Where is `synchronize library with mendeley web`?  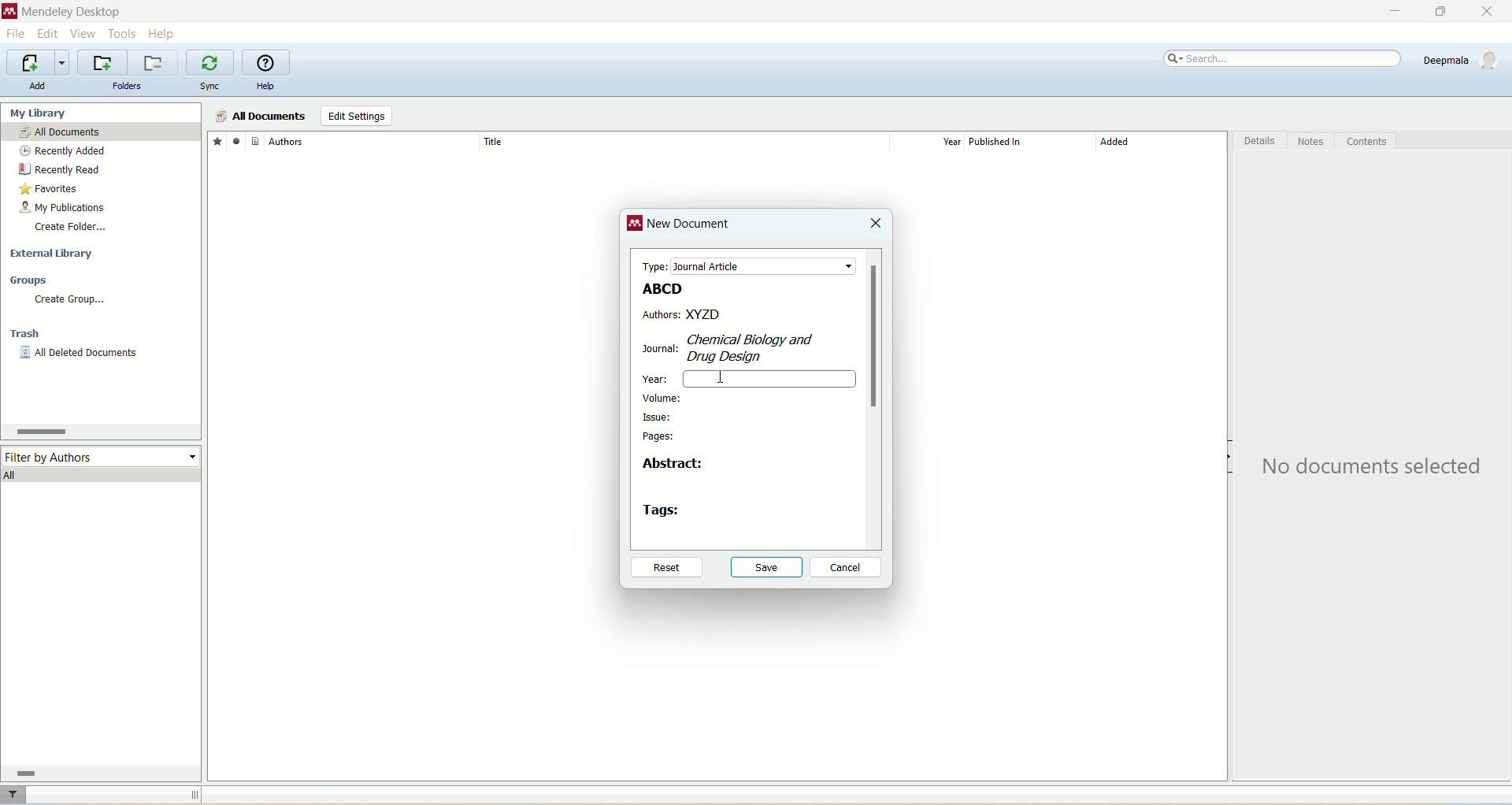 synchronize library with mendeley web is located at coordinates (212, 63).